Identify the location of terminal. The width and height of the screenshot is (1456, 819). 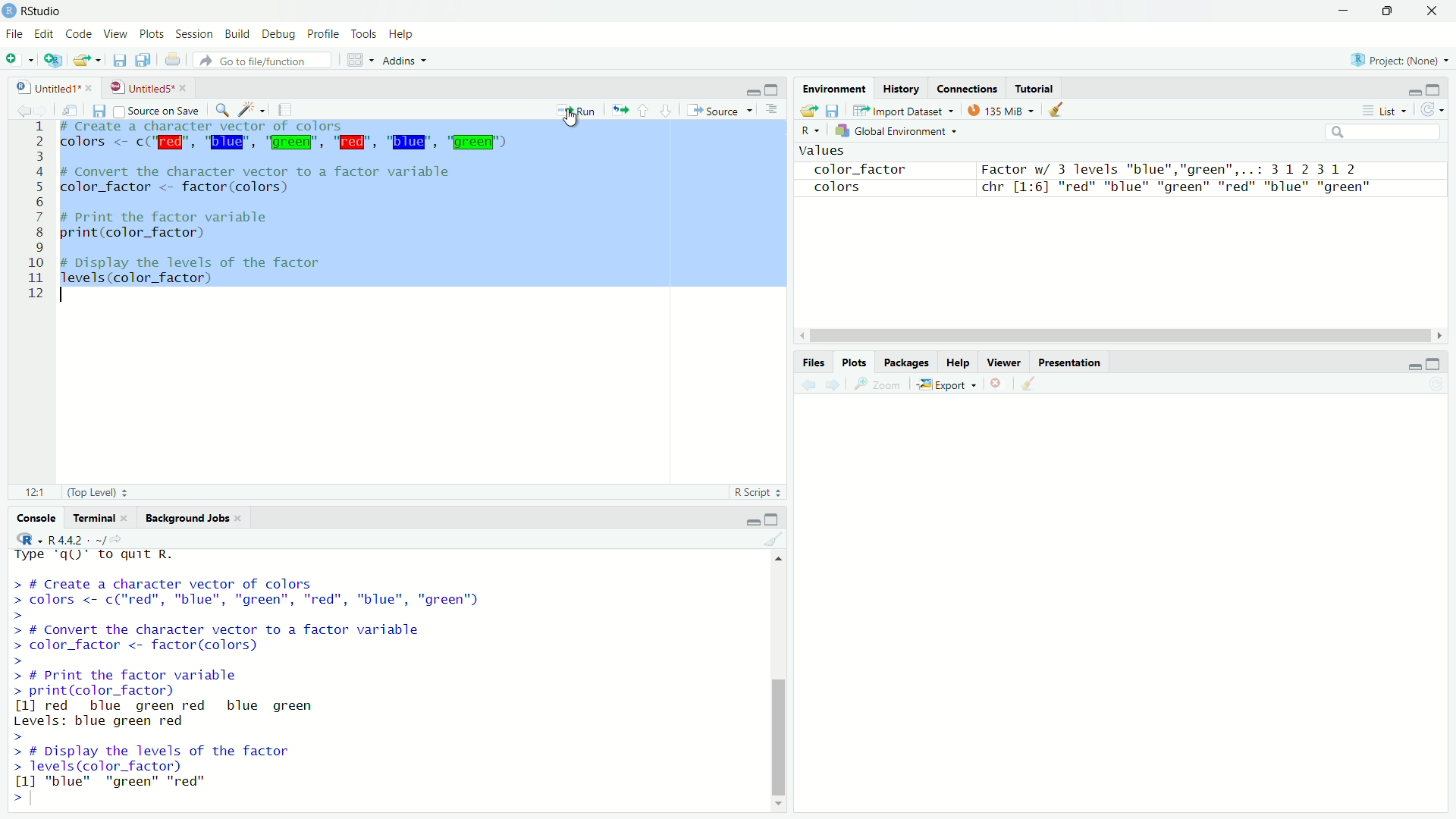
(101, 517).